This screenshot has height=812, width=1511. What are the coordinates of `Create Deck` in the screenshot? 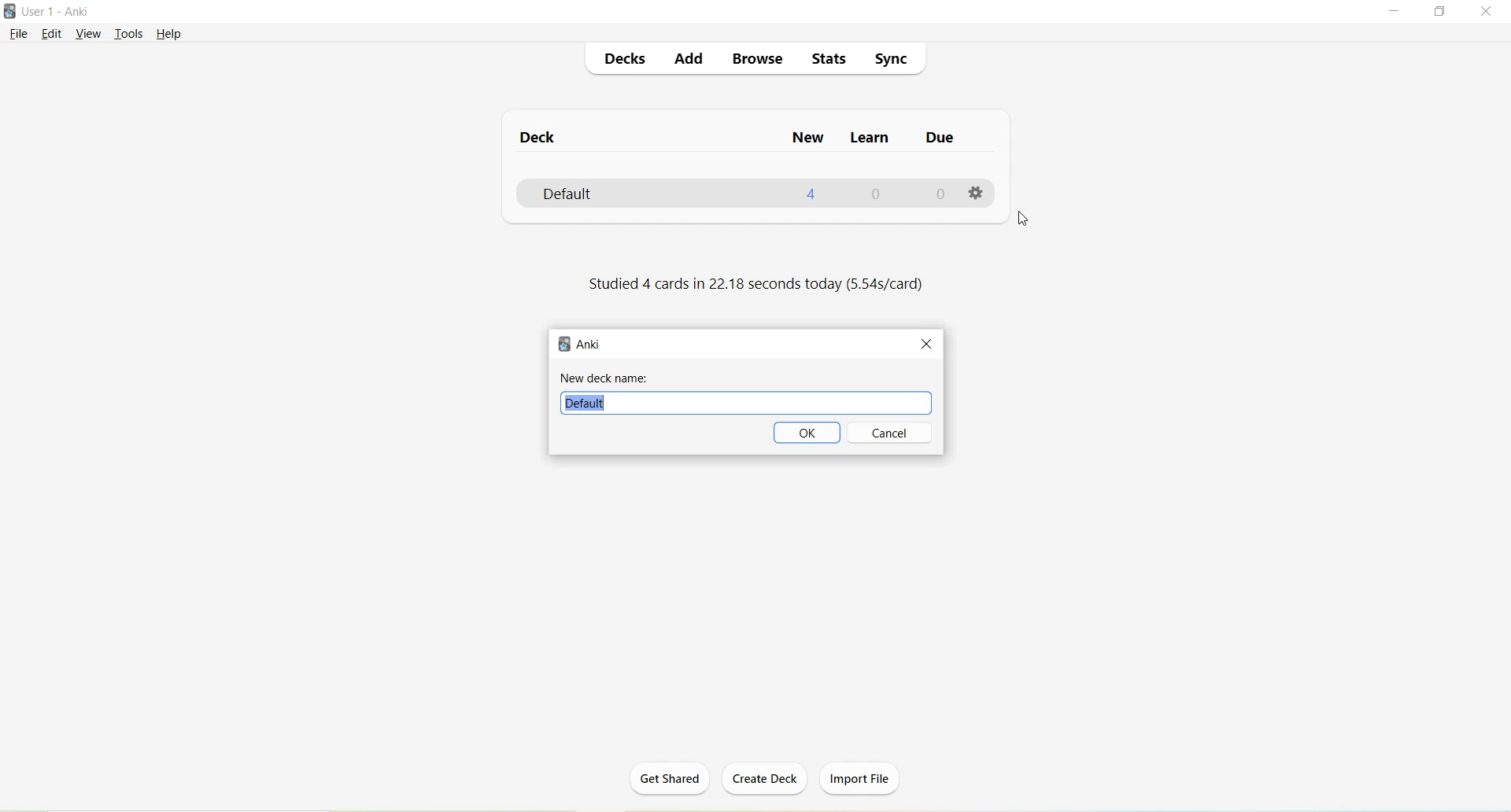 It's located at (766, 780).